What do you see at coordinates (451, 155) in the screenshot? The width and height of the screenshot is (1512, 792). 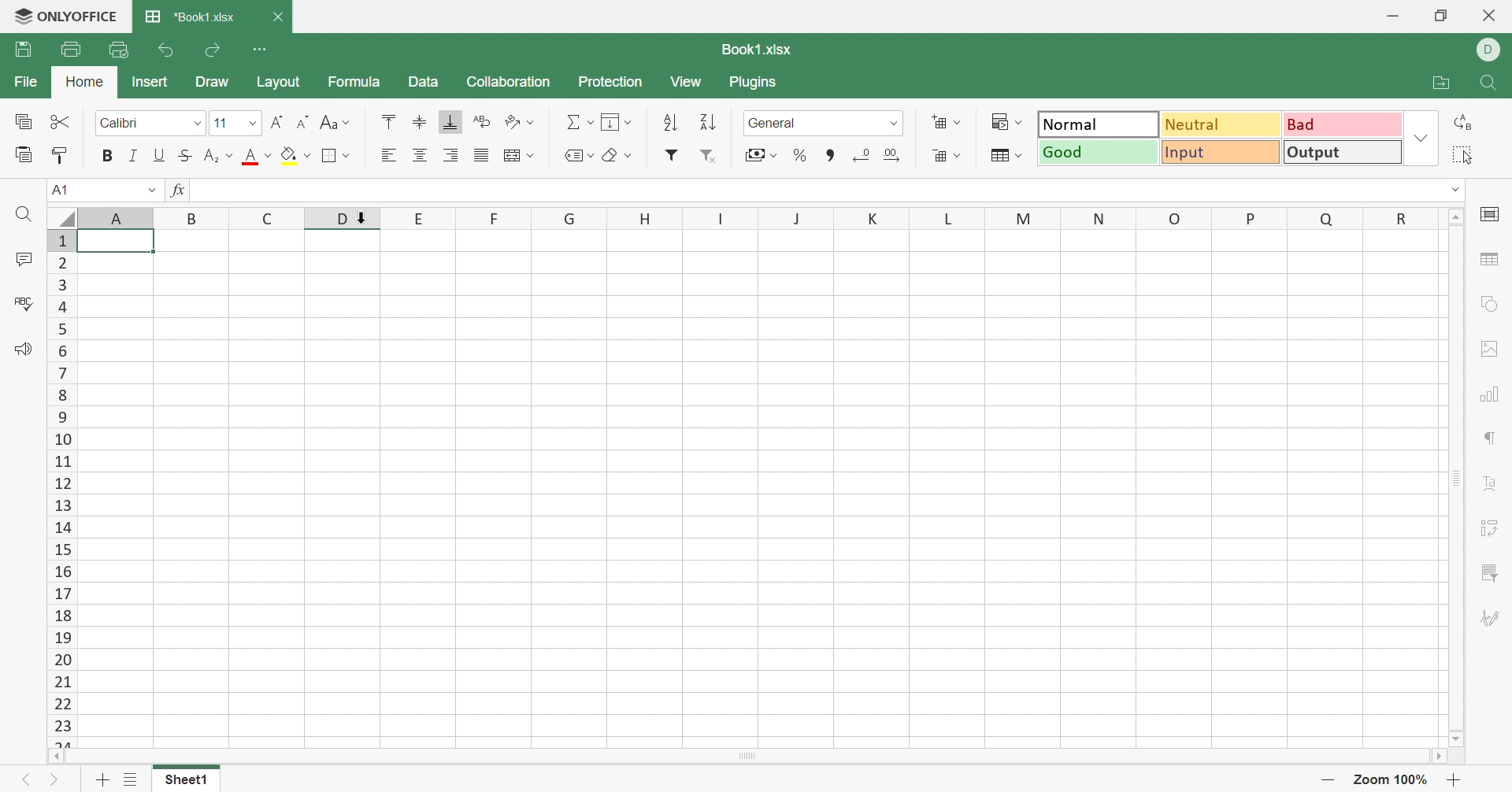 I see `Align Right` at bounding box center [451, 155].